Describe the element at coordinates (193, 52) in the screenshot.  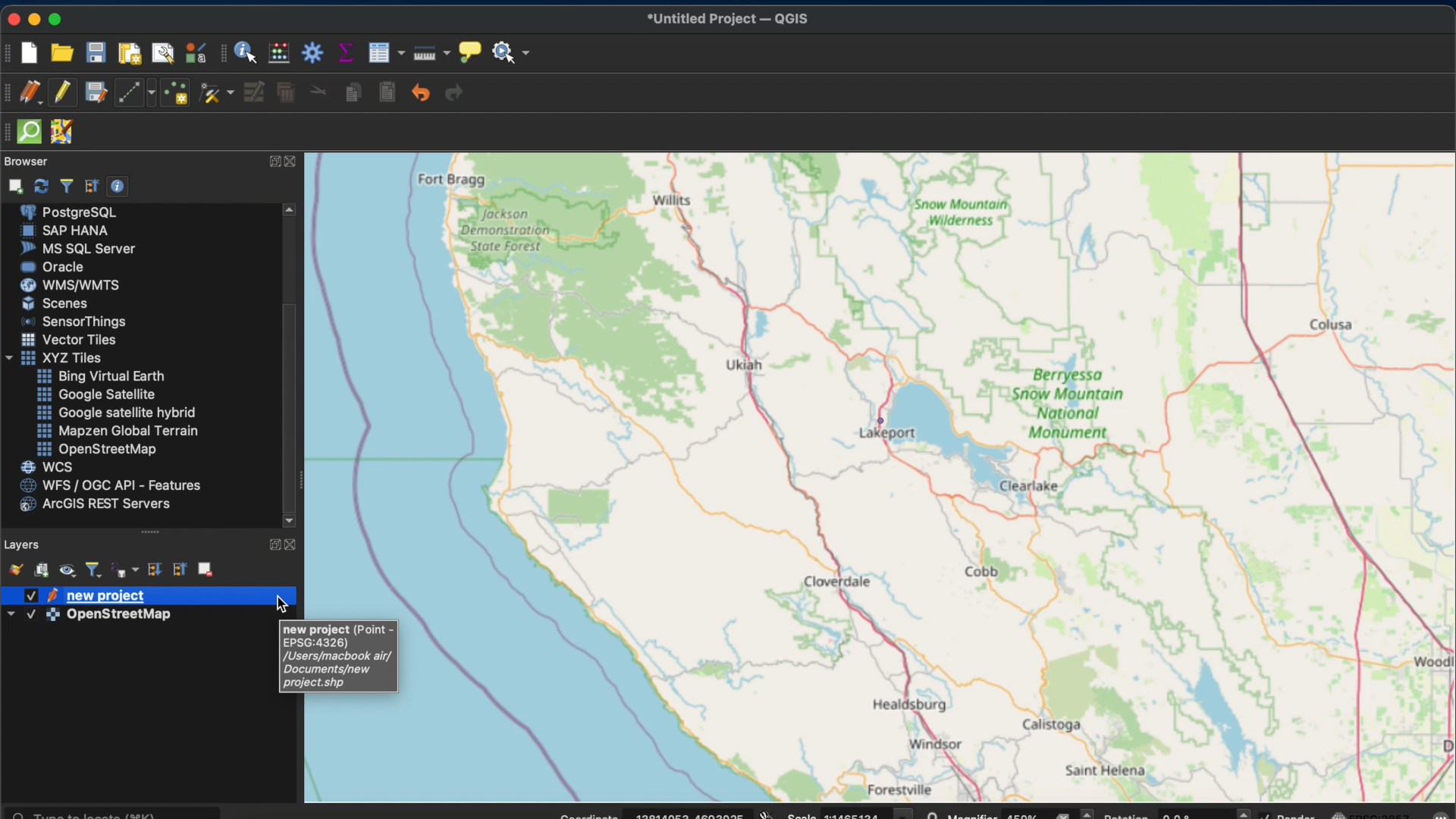
I see `style manager` at that location.